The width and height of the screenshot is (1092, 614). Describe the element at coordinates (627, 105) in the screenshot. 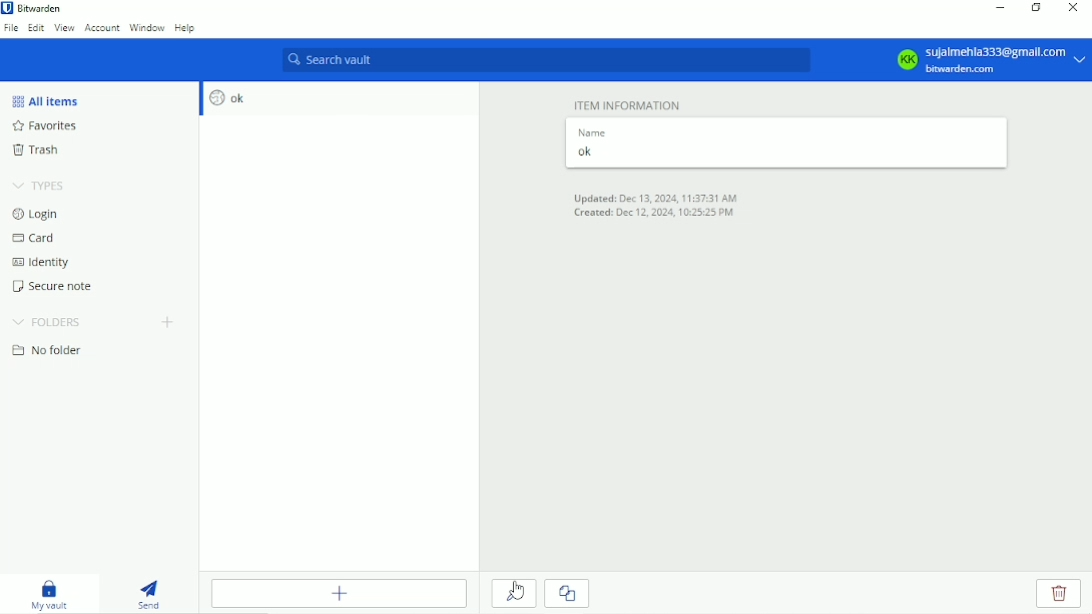

I see `Item information` at that location.